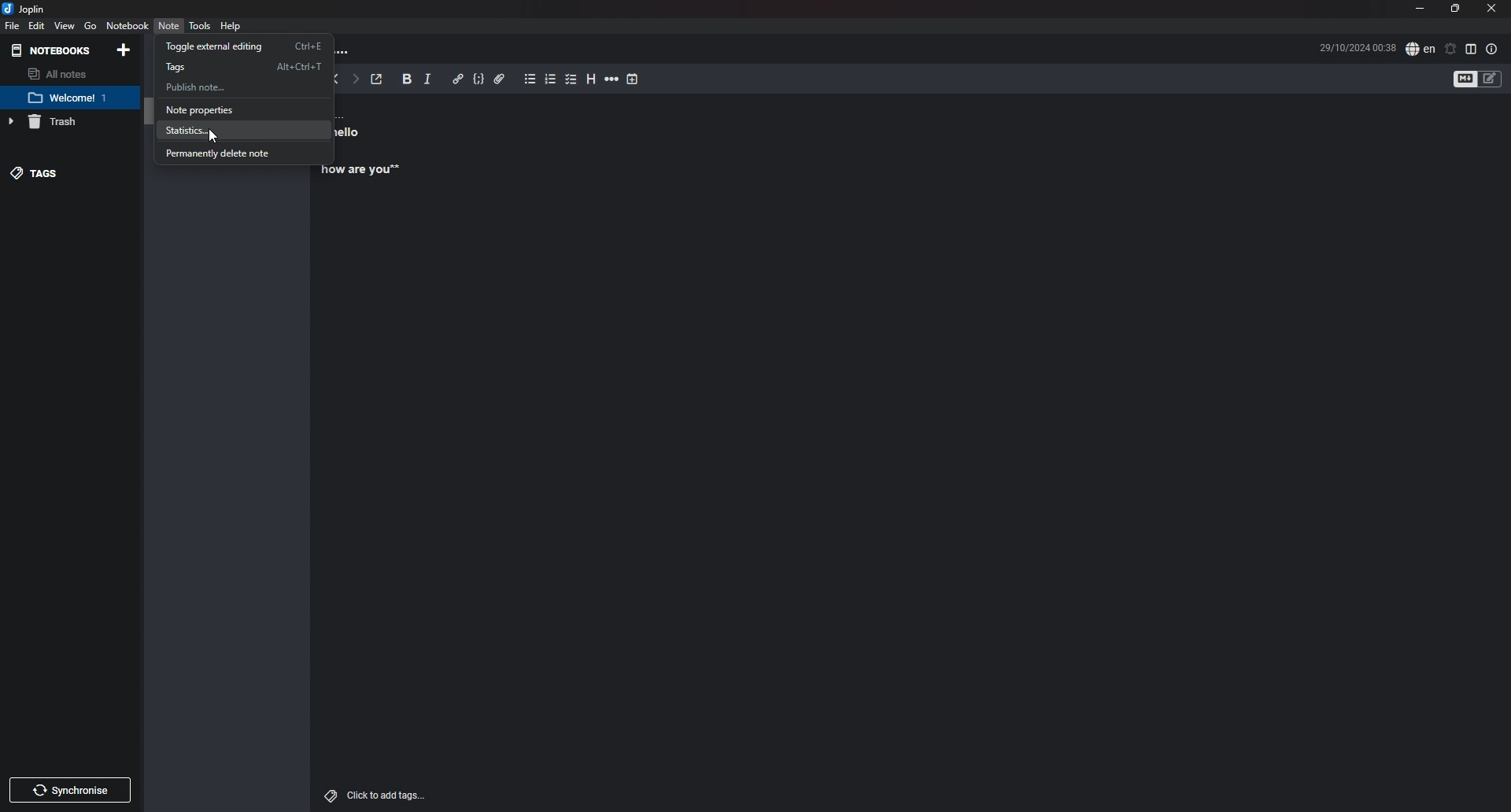  What do you see at coordinates (200, 26) in the screenshot?
I see `Tools` at bounding box center [200, 26].